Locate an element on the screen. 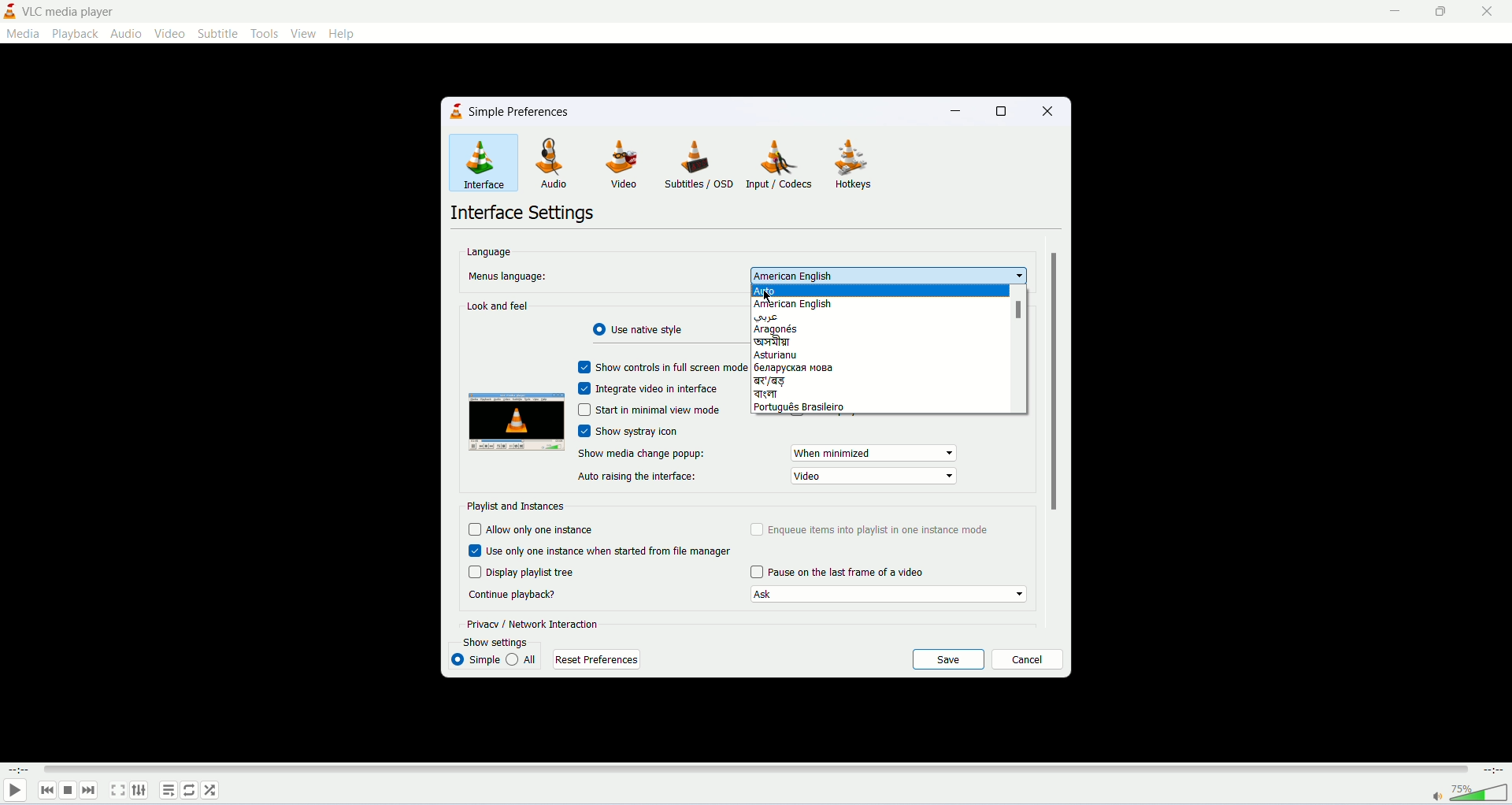 The height and width of the screenshot is (805, 1512). volume bar is located at coordinates (1480, 793).